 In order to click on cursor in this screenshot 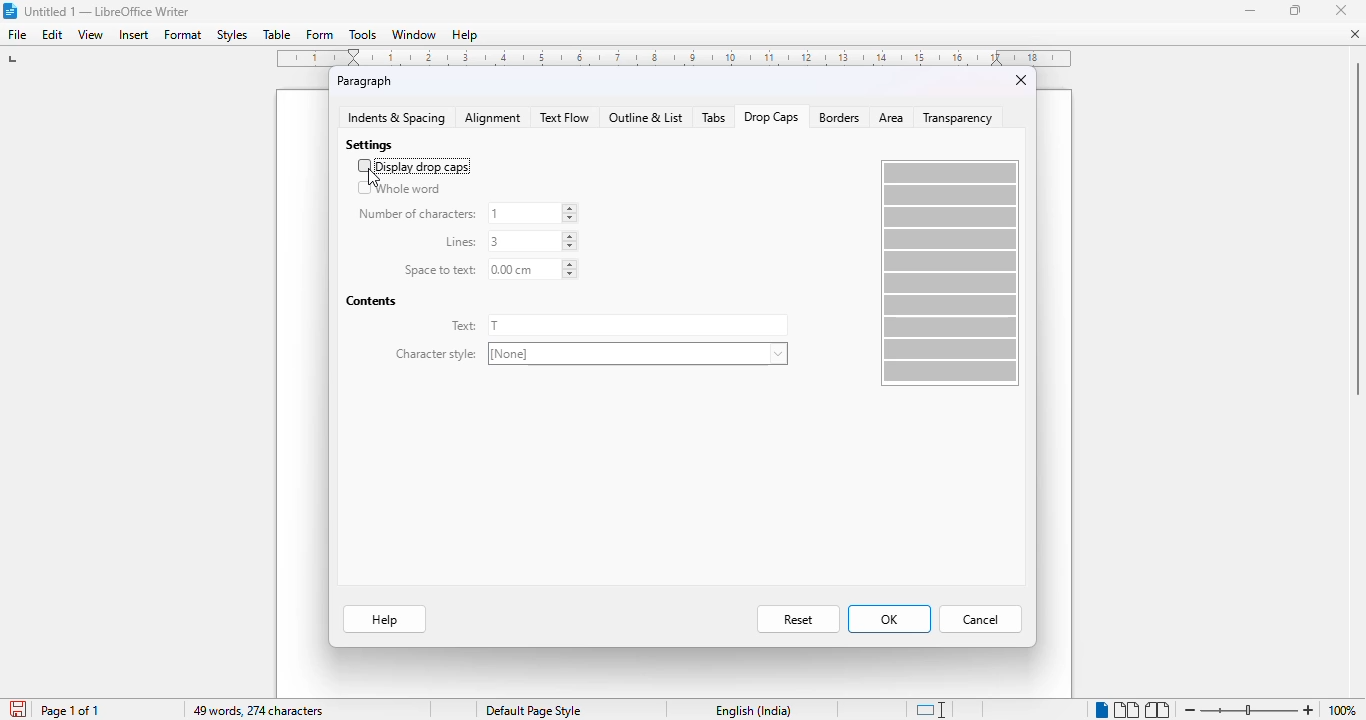, I will do `click(372, 177)`.